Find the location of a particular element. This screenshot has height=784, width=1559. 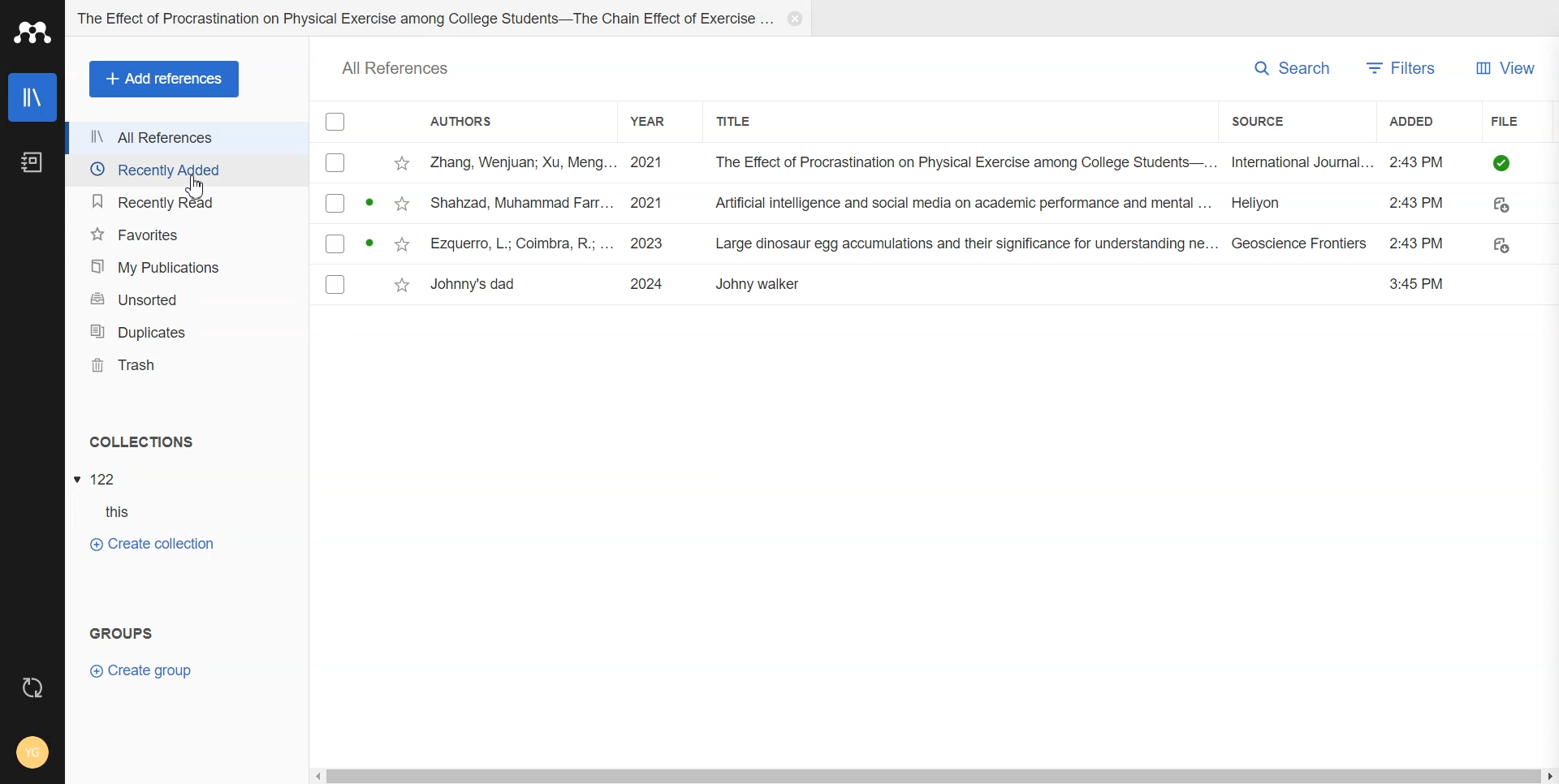

File is located at coordinates (934, 162).